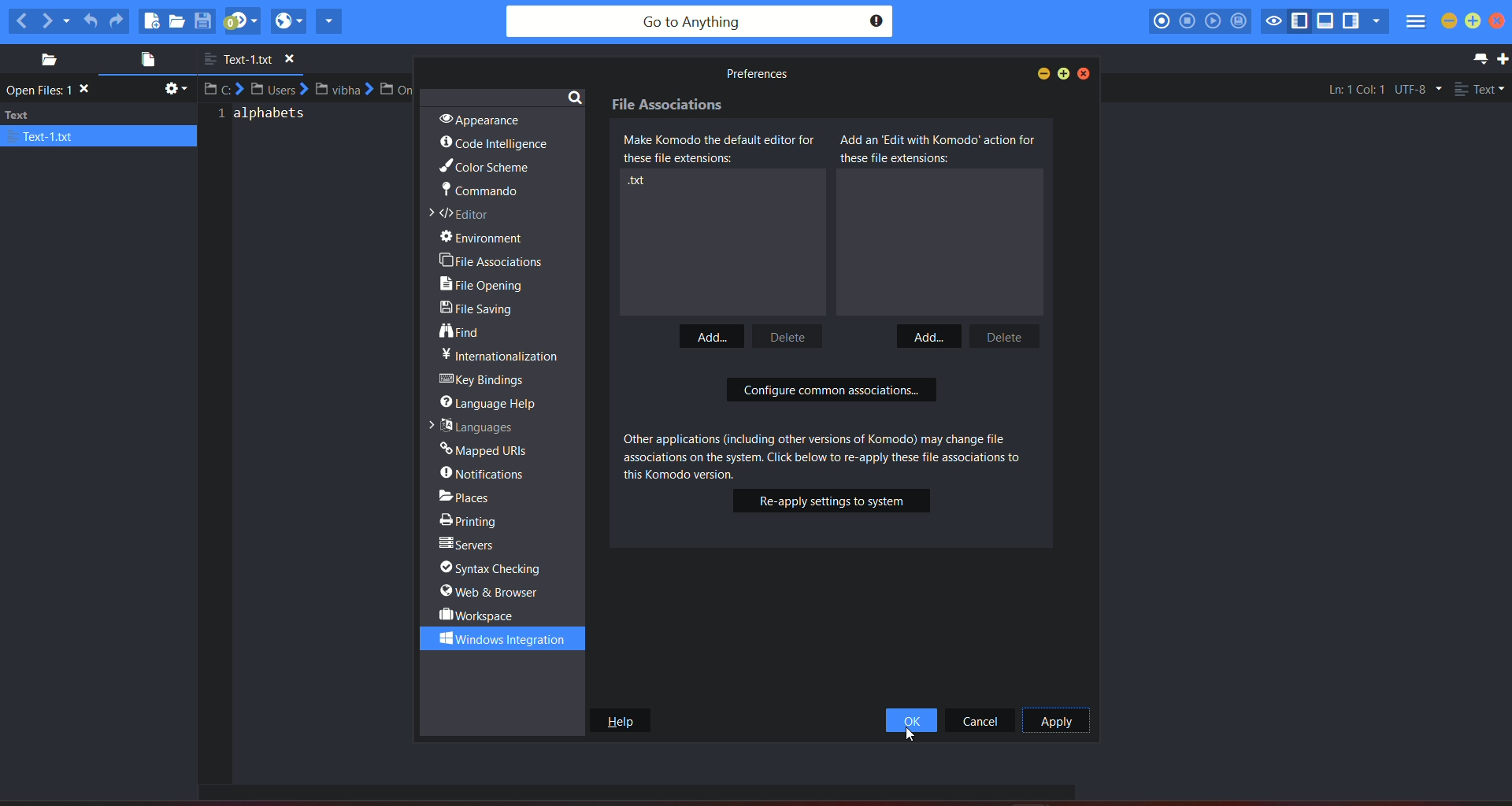 Image resolution: width=1512 pixels, height=806 pixels. I want to click on commando, so click(479, 193).